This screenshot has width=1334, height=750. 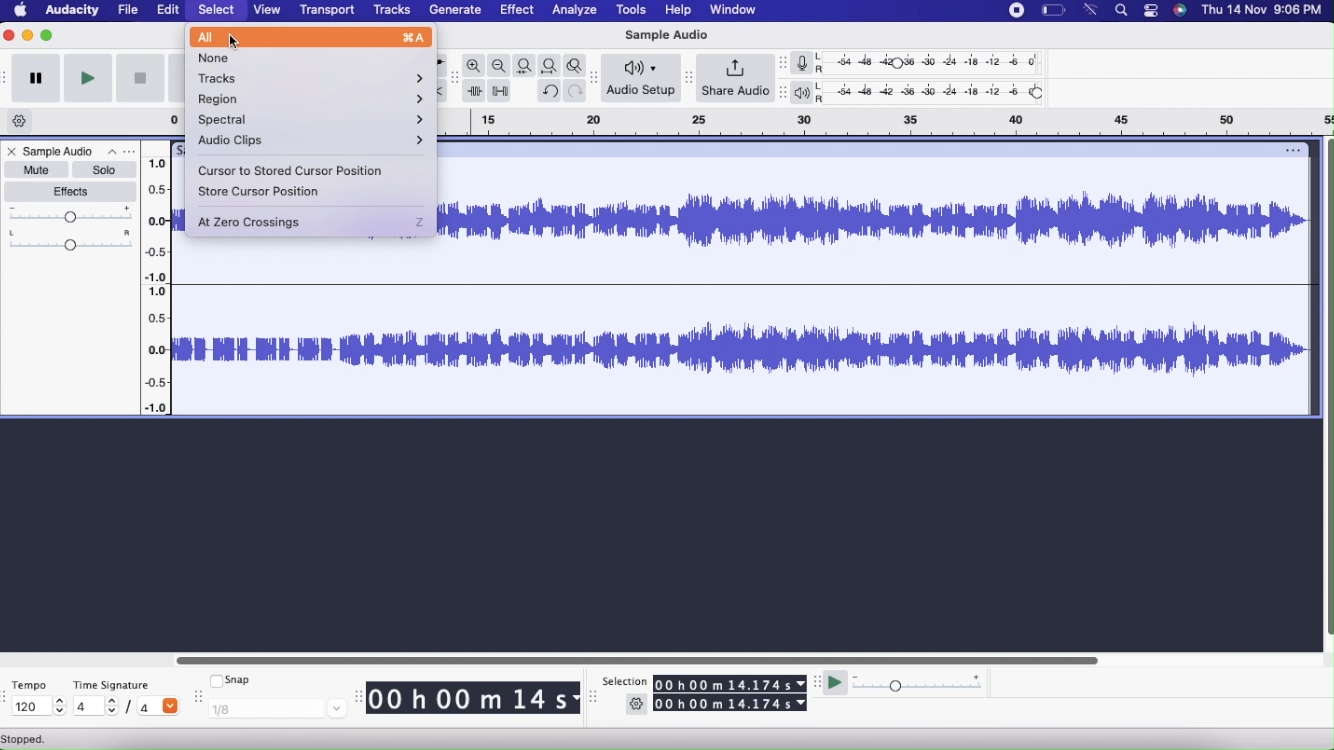 What do you see at coordinates (730, 703) in the screenshot?
I see `00 h 00 m 14.174 s` at bounding box center [730, 703].